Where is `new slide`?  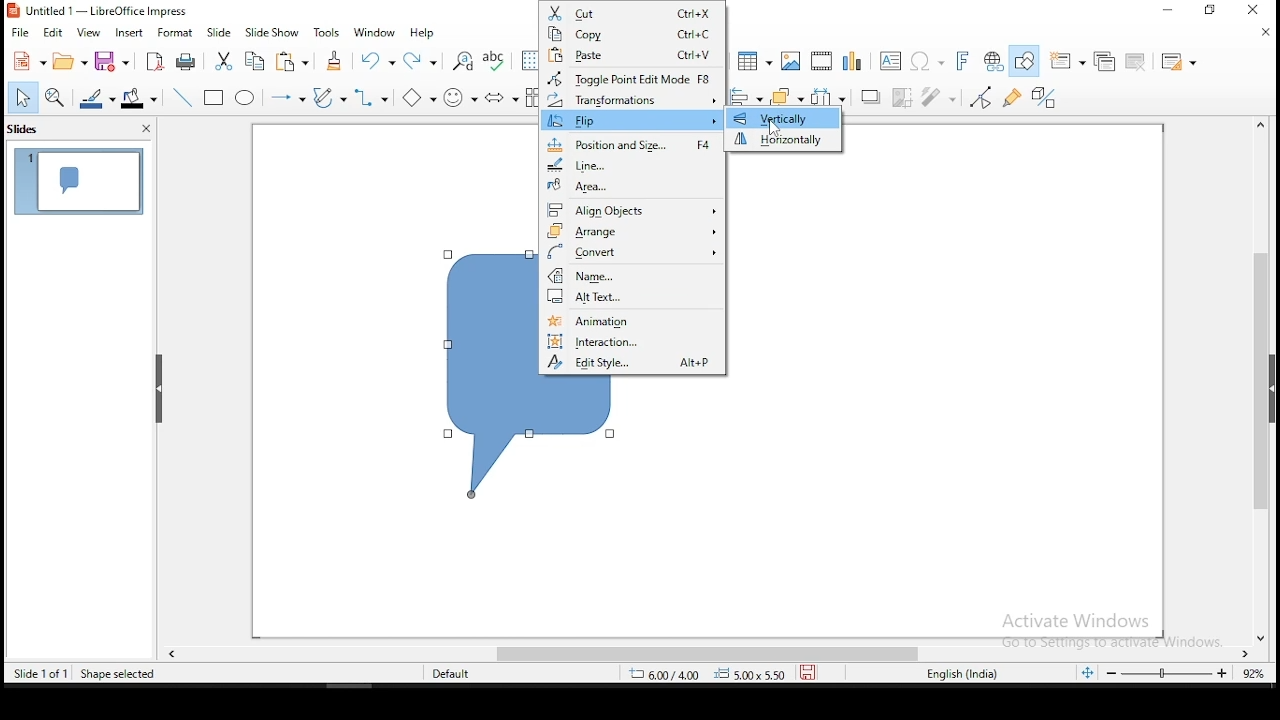
new slide is located at coordinates (1067, 59).